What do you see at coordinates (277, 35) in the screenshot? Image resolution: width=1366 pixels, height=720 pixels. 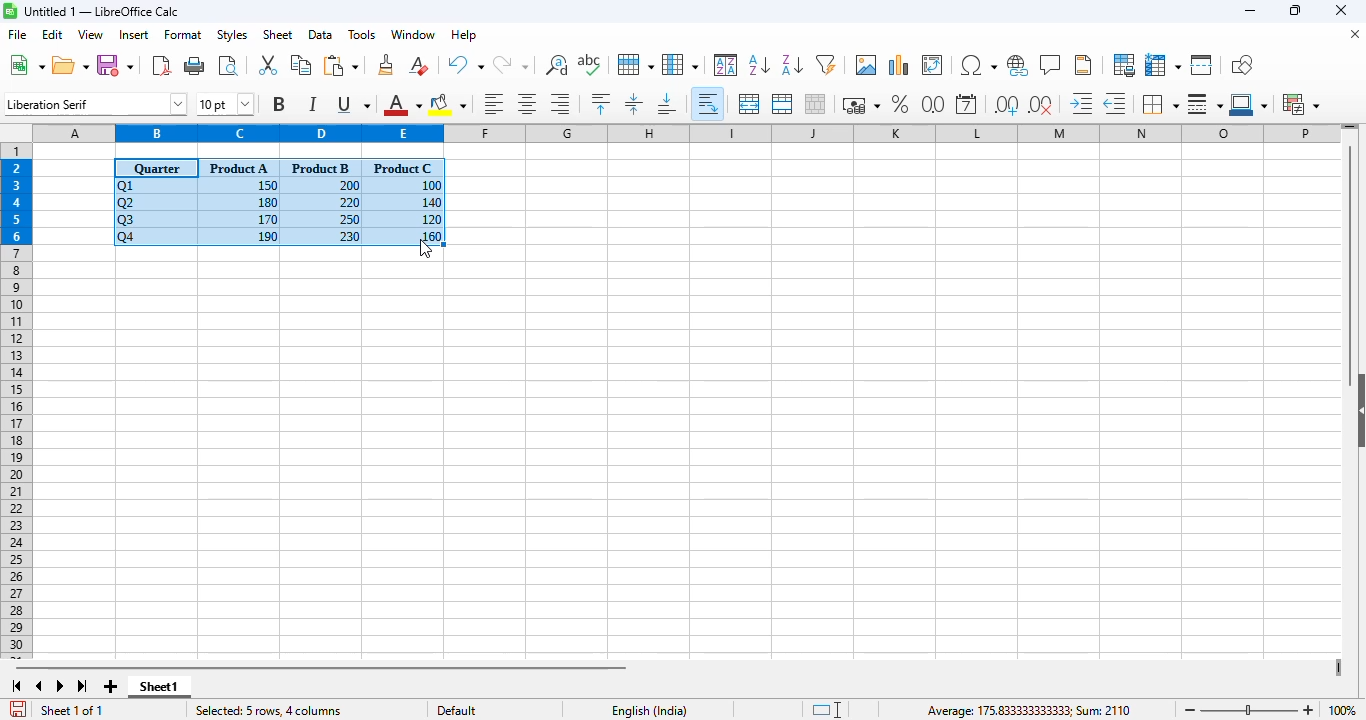 I see `sheet` at bounding box center [277, 35].